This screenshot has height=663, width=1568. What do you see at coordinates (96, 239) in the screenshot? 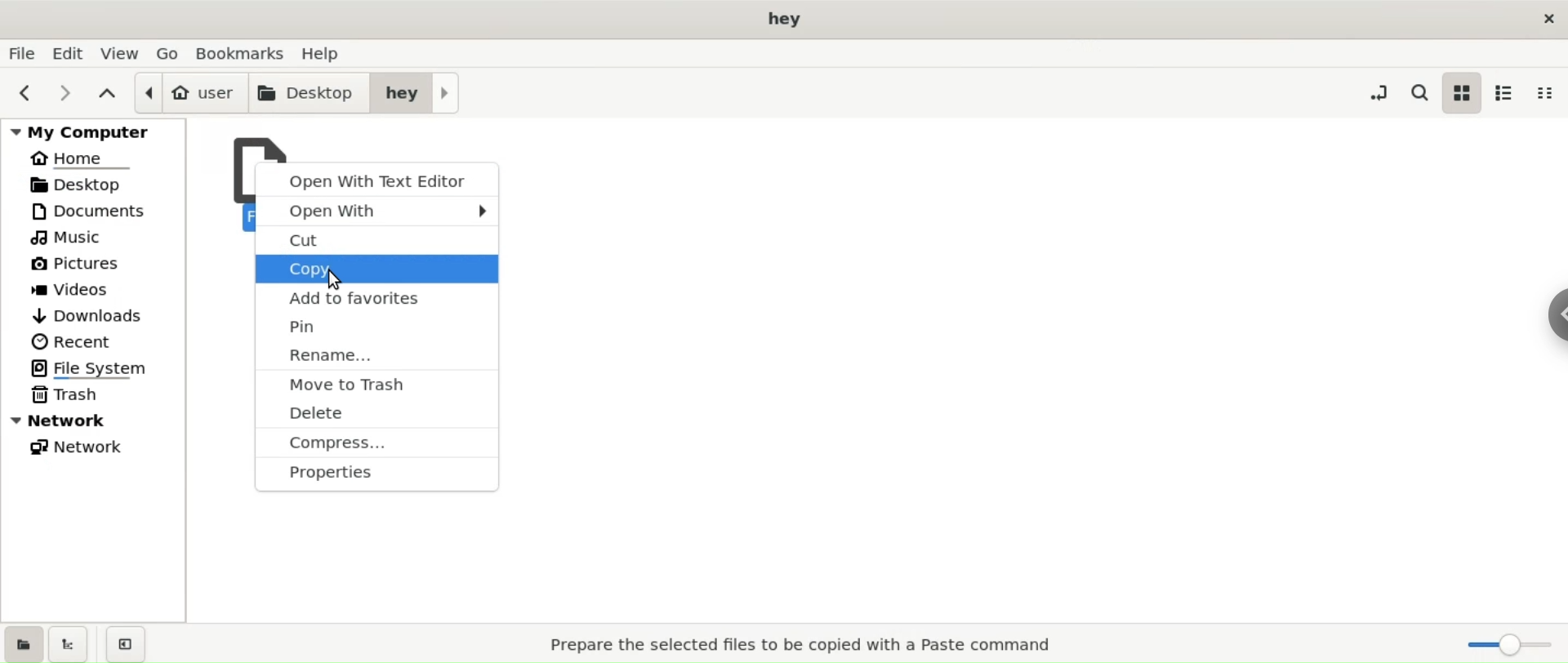
I see `music` at bounding box center [96, 239].